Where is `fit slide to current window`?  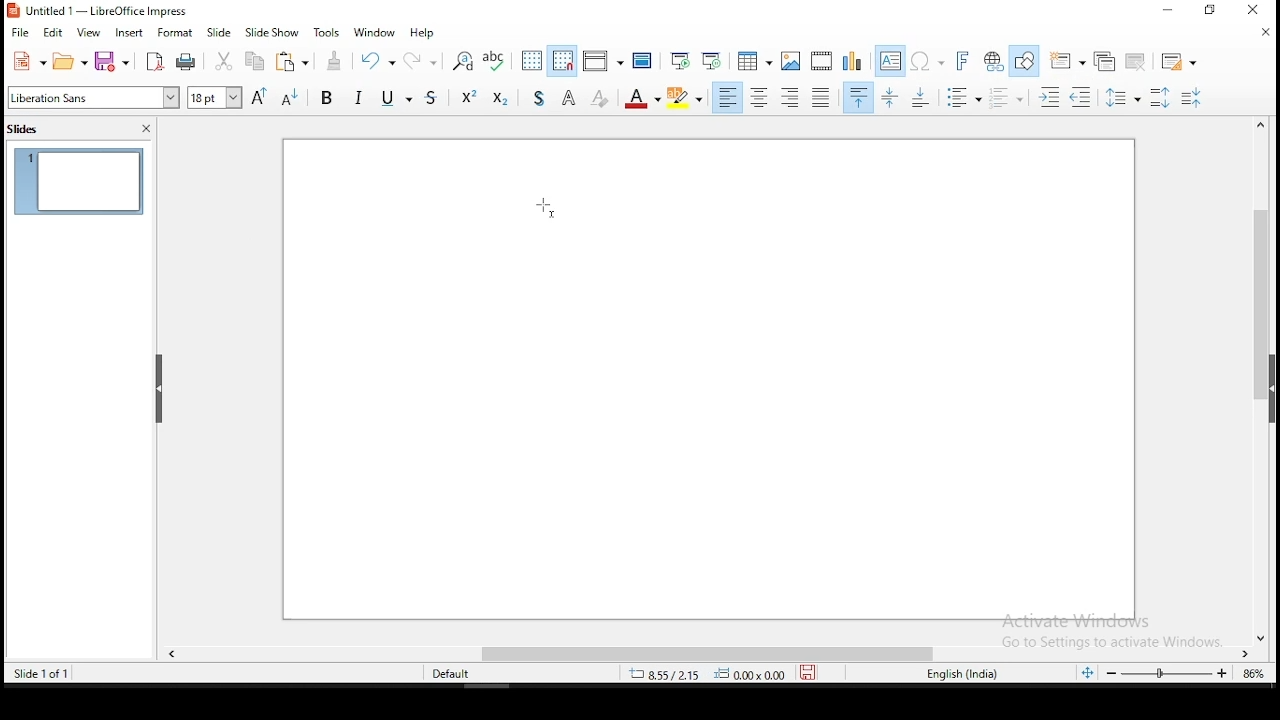 fit slide to current window is located at coordinates (1087, 668).